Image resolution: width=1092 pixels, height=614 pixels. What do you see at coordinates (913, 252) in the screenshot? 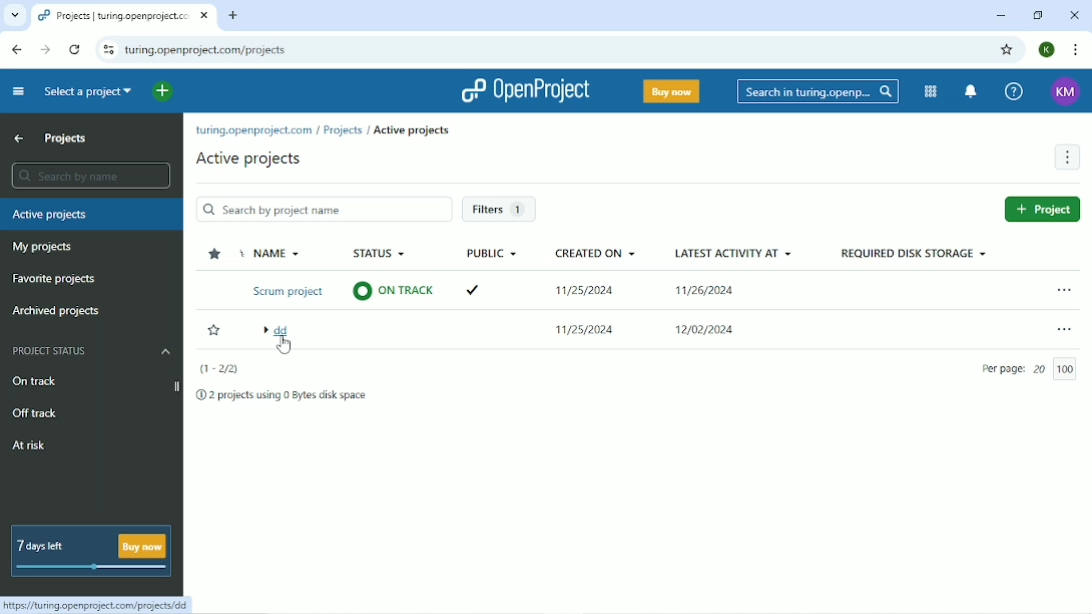
I see `Required disk storage` at bounding box center [913, 252].